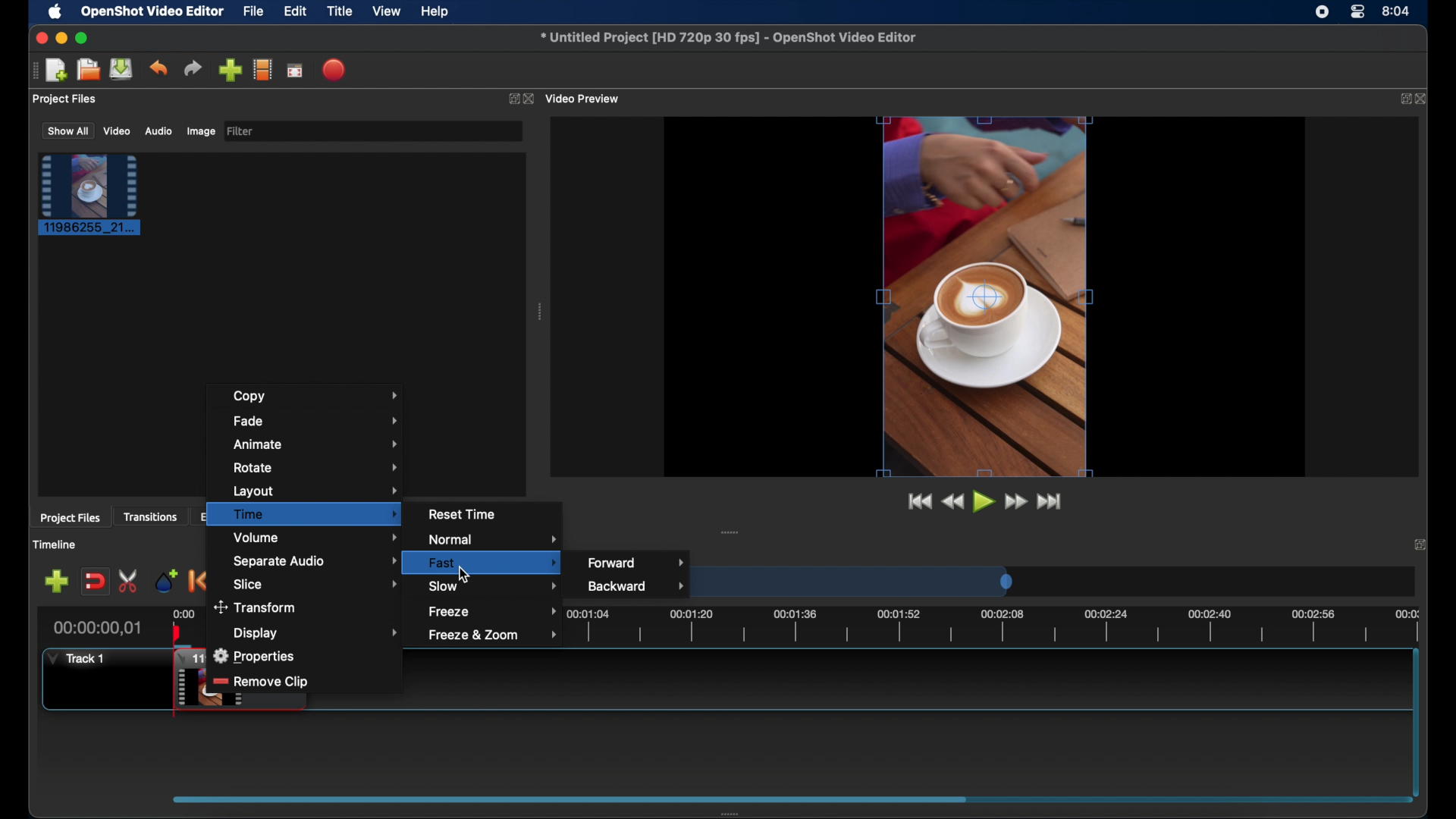 This screenshot has width=1456, height=819. What do you see at coordinates (1418, 544) in the screenshot?
I see `close` at bounding box center [1418, 544].